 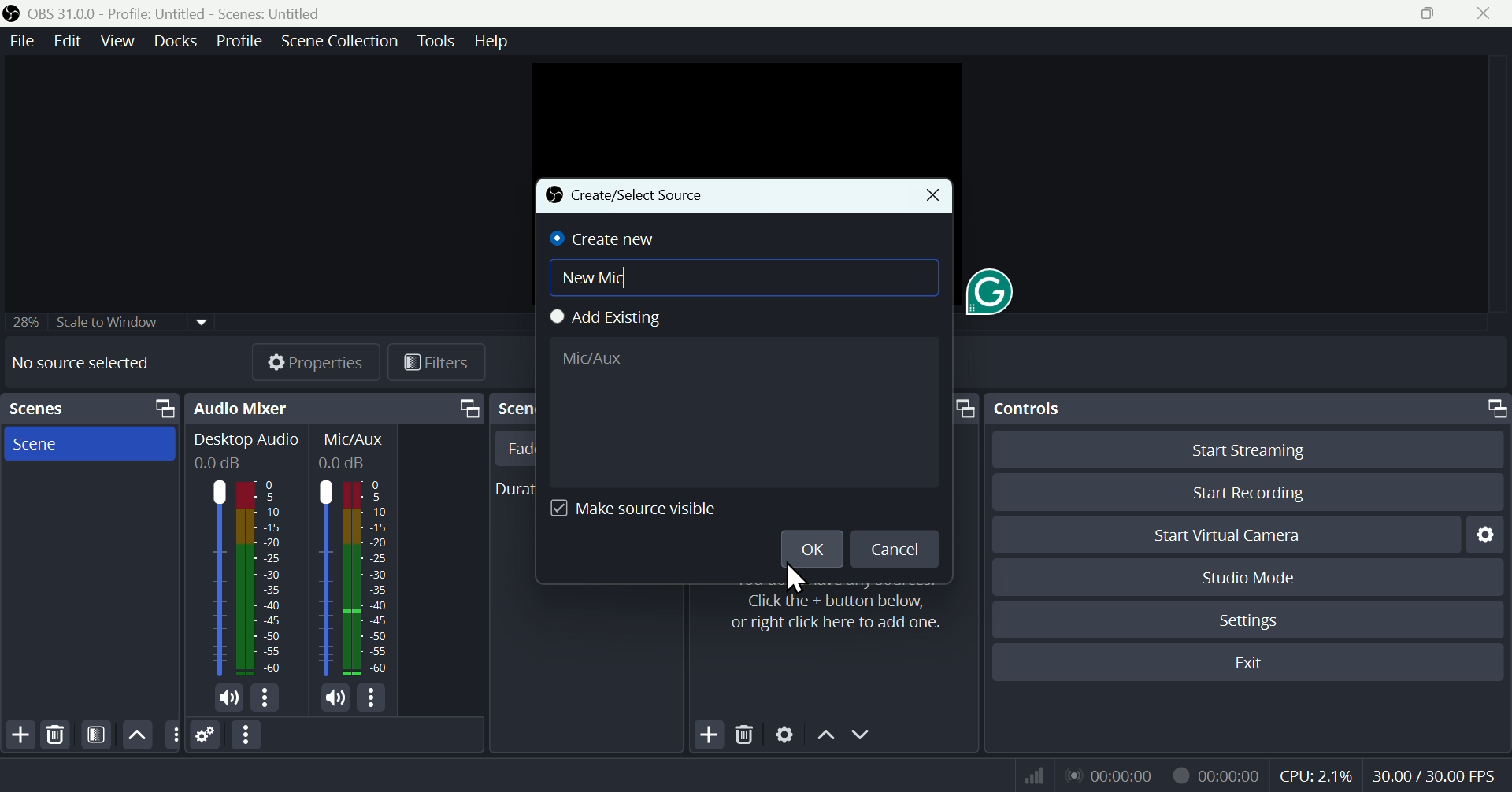 What do you see at coordinates (230, 701) in the screenshot?
I see `(un)mute` at bounding box center [230, 701].